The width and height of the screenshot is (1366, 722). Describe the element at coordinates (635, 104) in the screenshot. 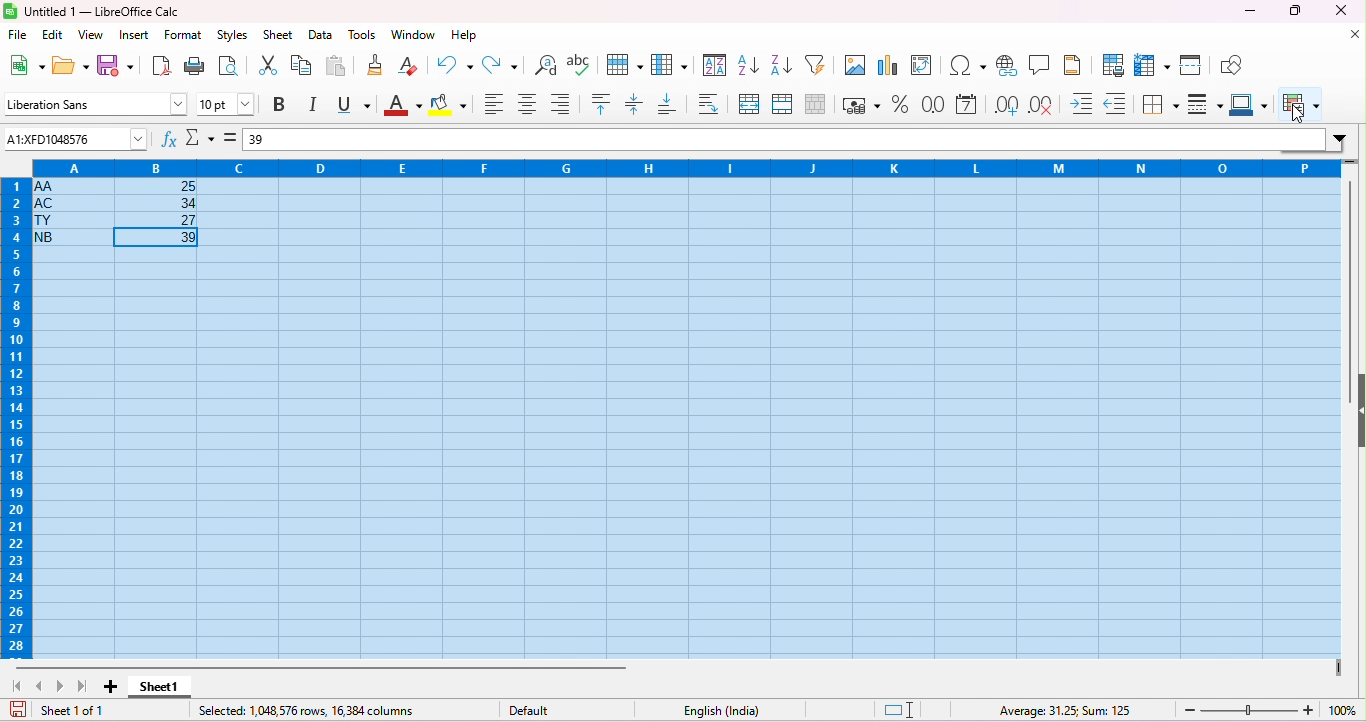

I see `center vertically` at that location.